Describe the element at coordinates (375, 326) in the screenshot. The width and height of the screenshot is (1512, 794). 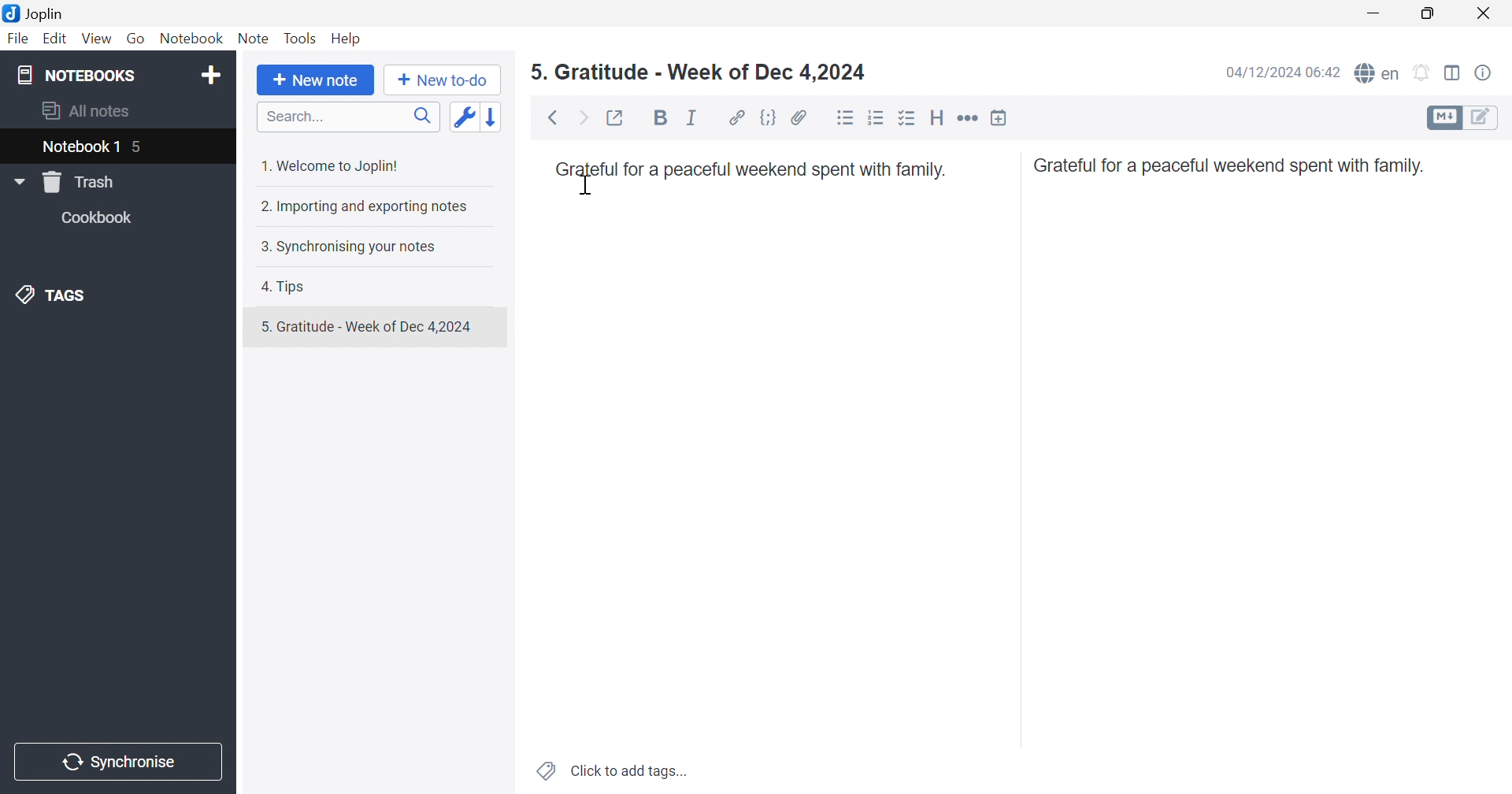
I see `5. Gratitude - Week of Dec 4,2024` at that location.